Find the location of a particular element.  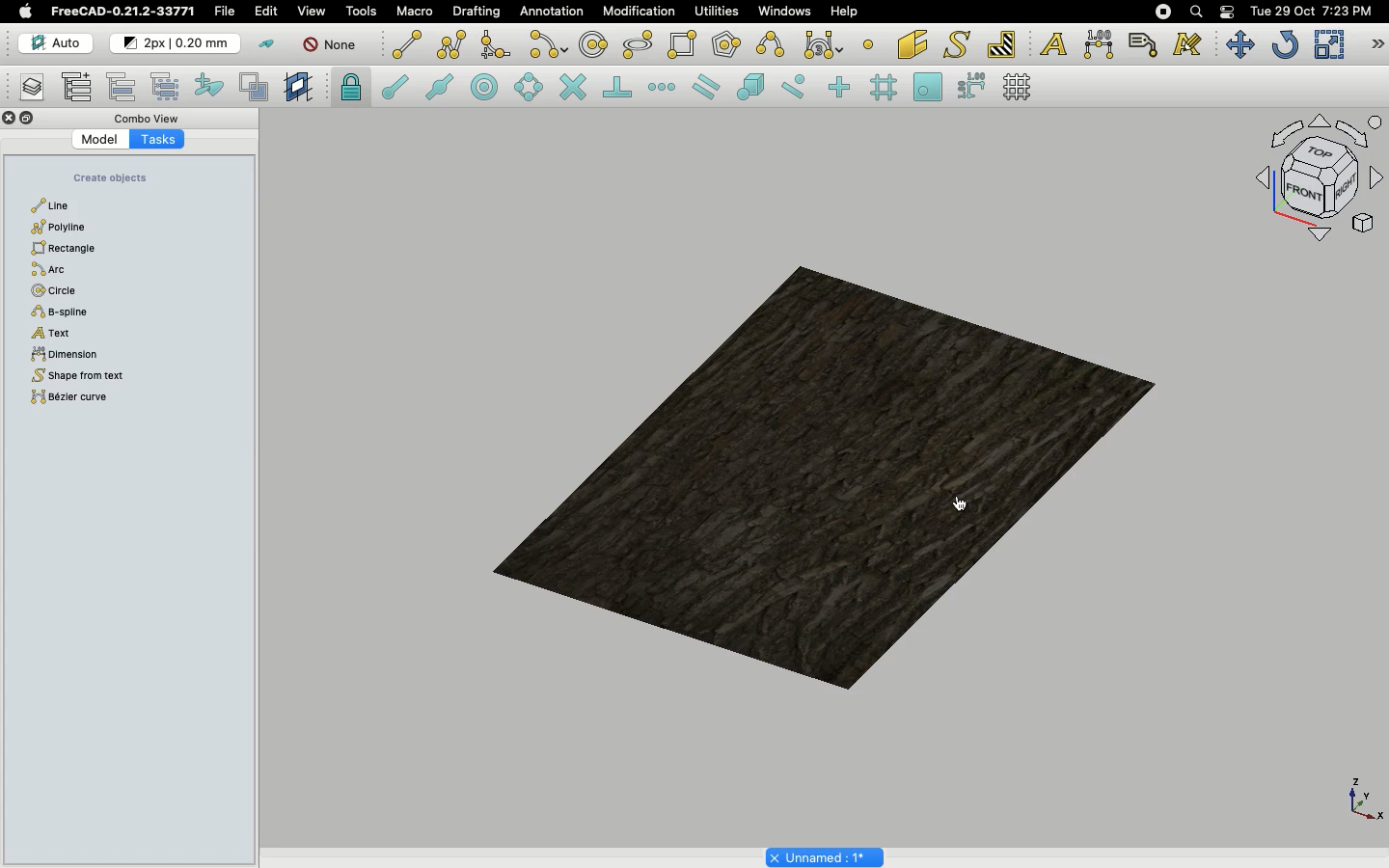

Tools is located at coordinates (364, 12).